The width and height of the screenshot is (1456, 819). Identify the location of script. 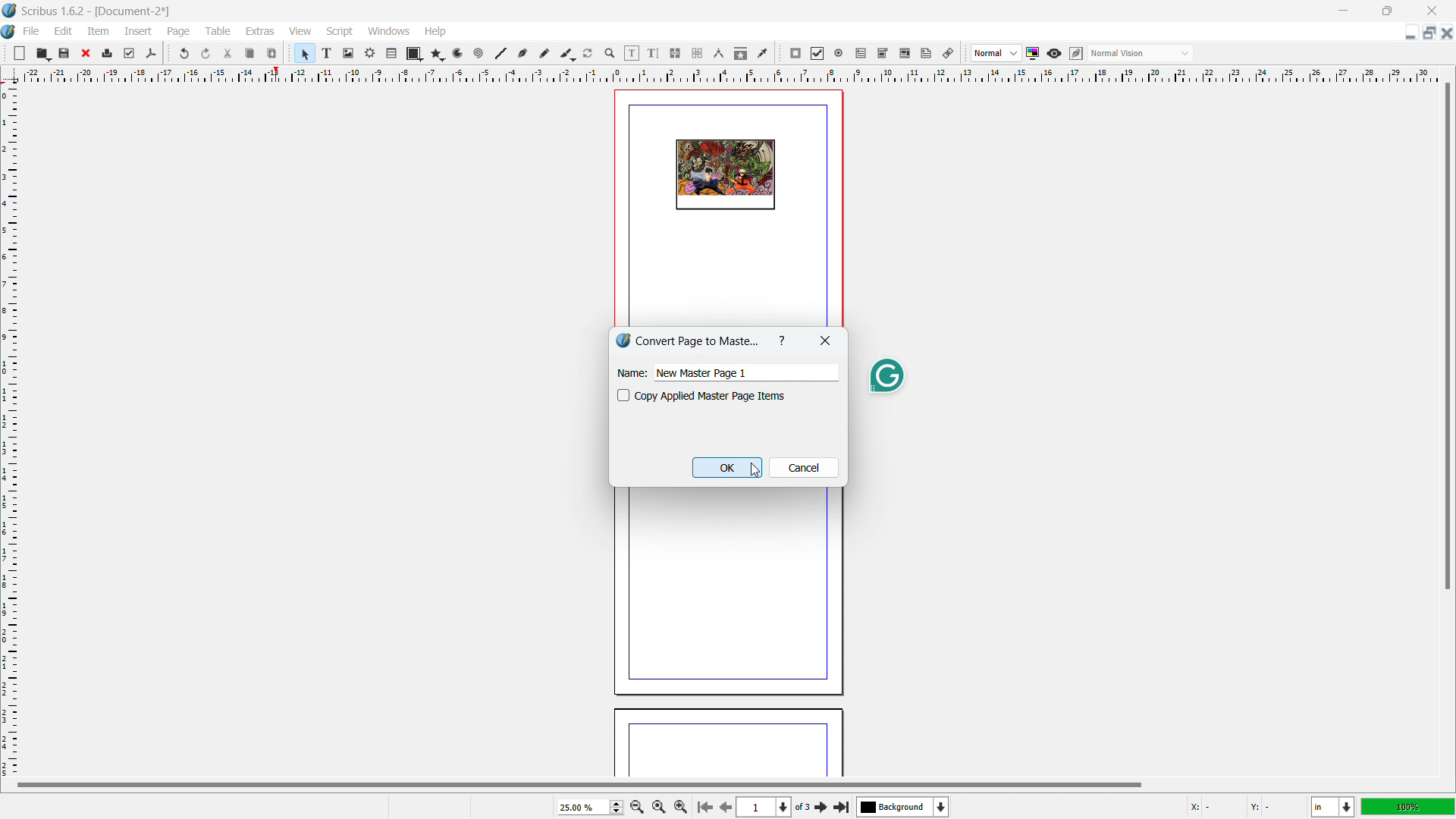
(340, 32).